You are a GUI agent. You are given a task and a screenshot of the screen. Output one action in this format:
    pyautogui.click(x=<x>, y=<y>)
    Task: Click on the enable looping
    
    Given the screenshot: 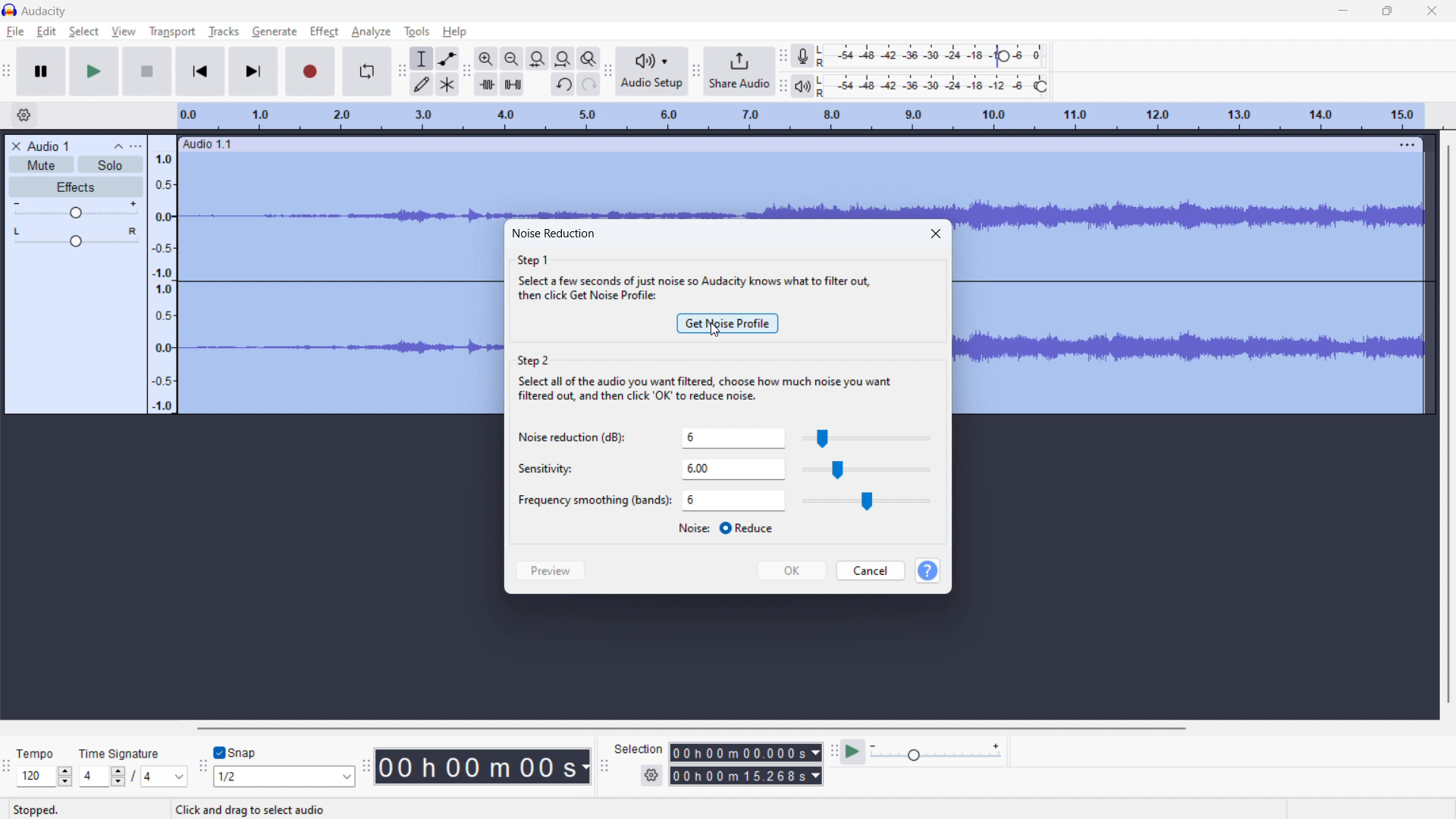 What is the action you would take?
    pyautogui.click(x=366, y=71)
    